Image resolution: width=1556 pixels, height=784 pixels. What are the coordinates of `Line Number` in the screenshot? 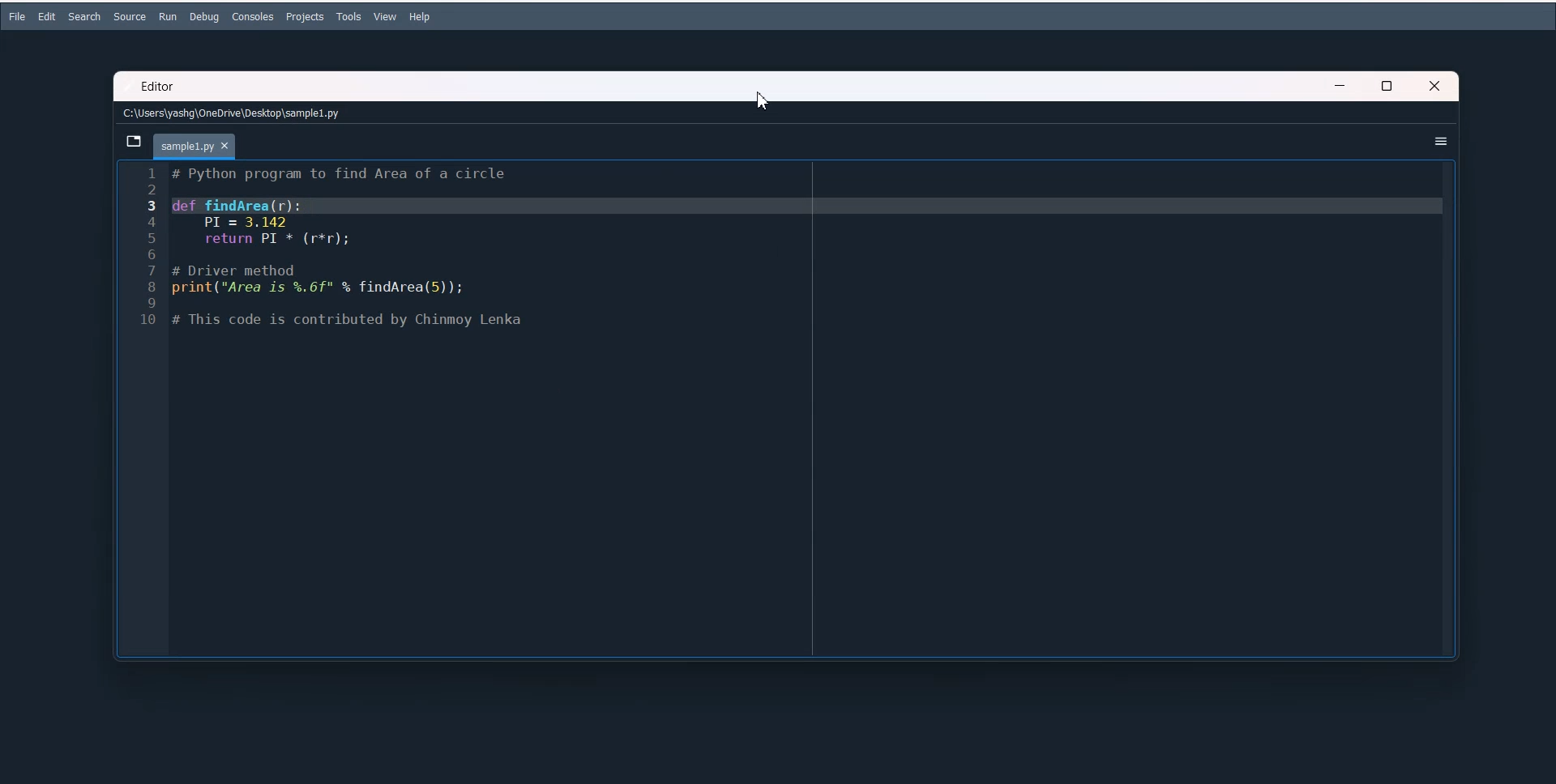 It's located at (143, 410).